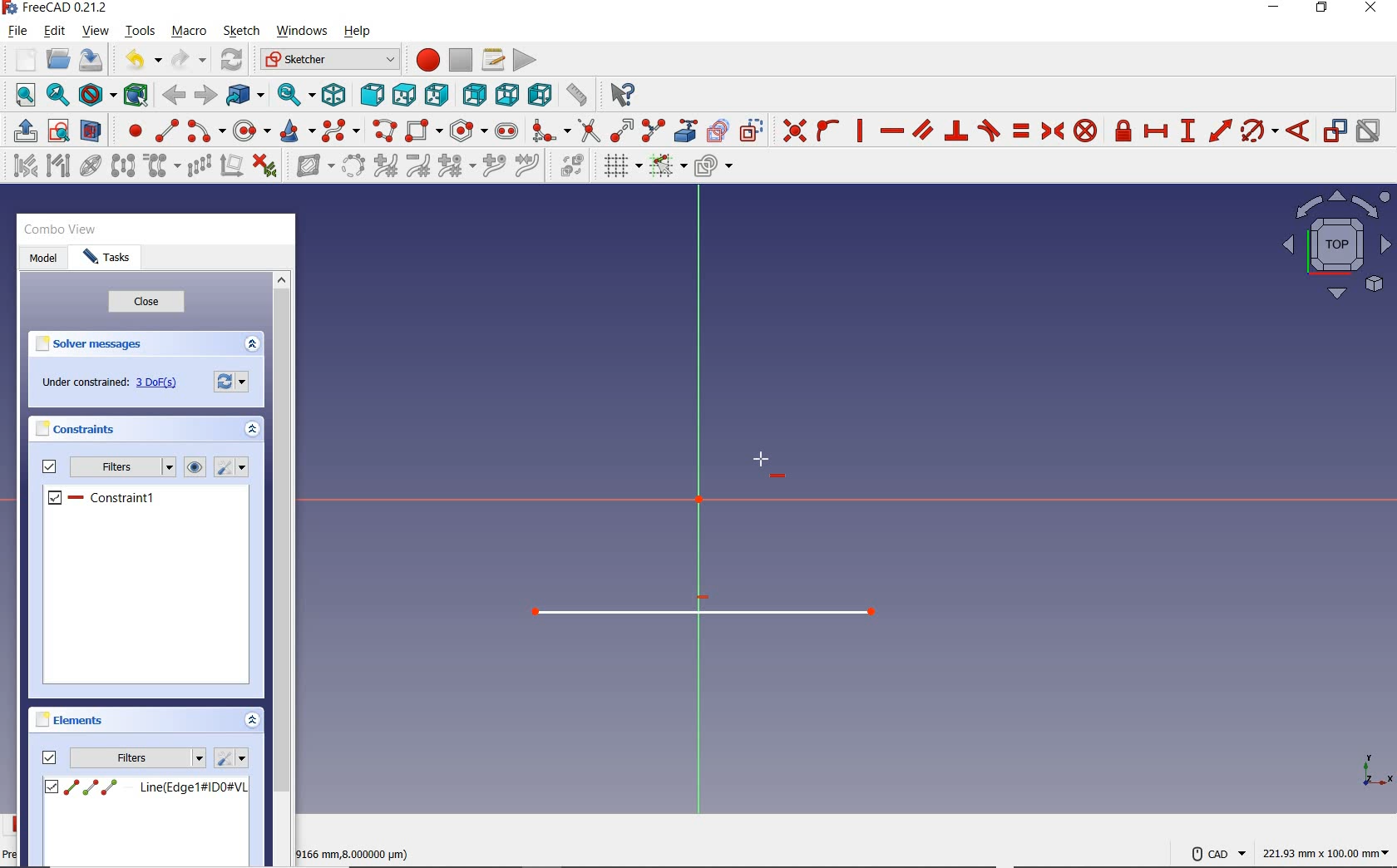 This screenshot has width=1397, height=868. Describe the element at coordinates (702, 613) in the screenshot. I see ` a dimension constraint added to shape` at that location.